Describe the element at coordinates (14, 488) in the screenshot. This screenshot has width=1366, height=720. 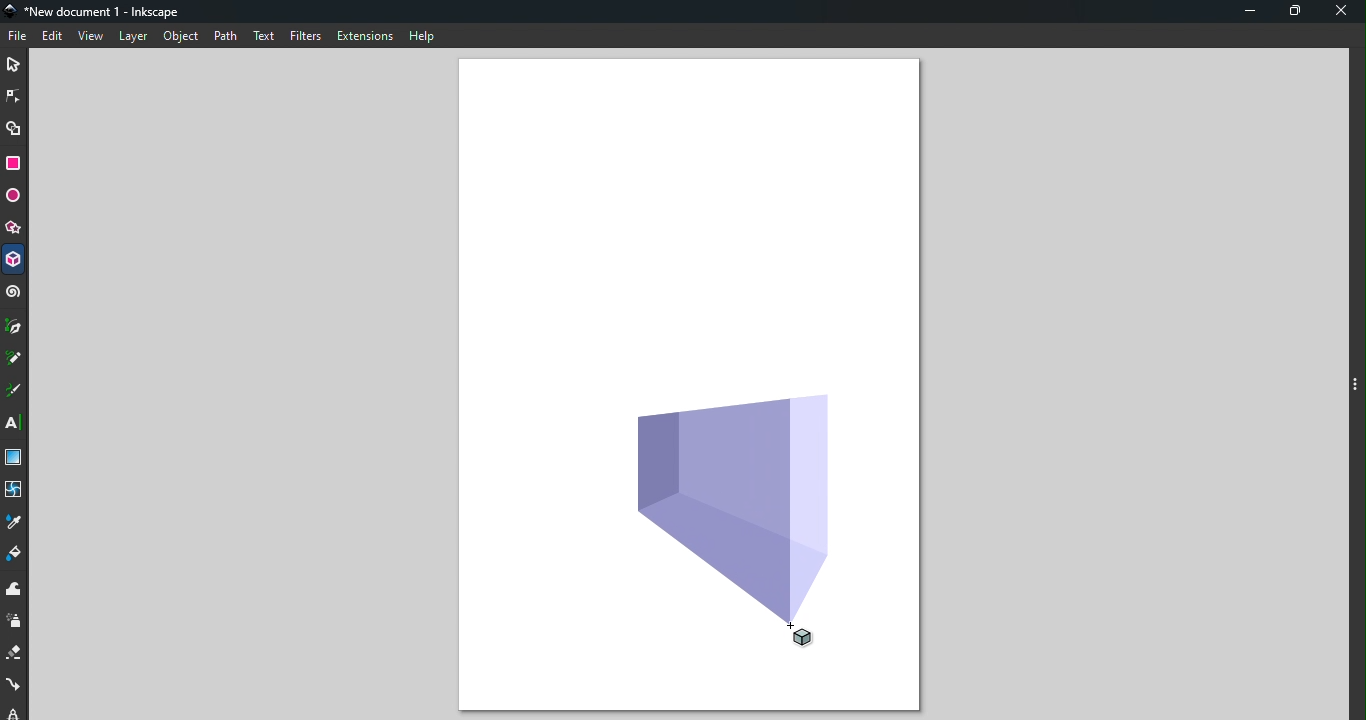
I see `Mesh tool` at that location.